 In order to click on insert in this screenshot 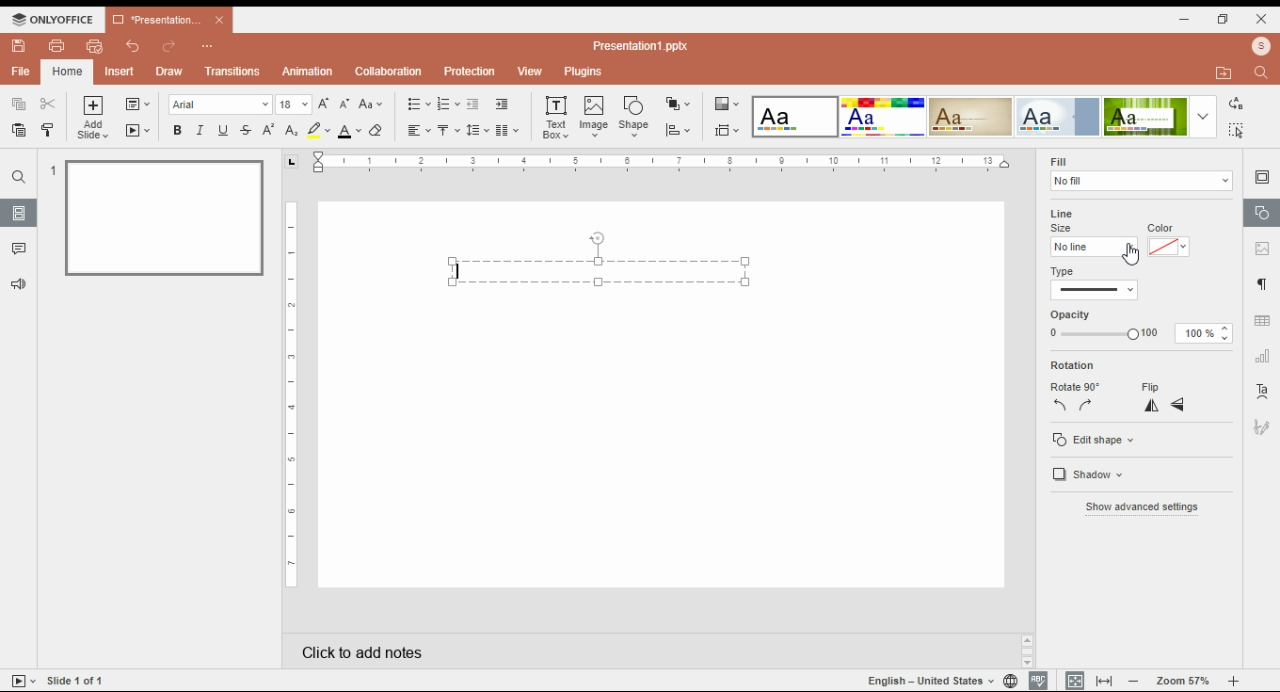, I will do `click(122, 71)`.